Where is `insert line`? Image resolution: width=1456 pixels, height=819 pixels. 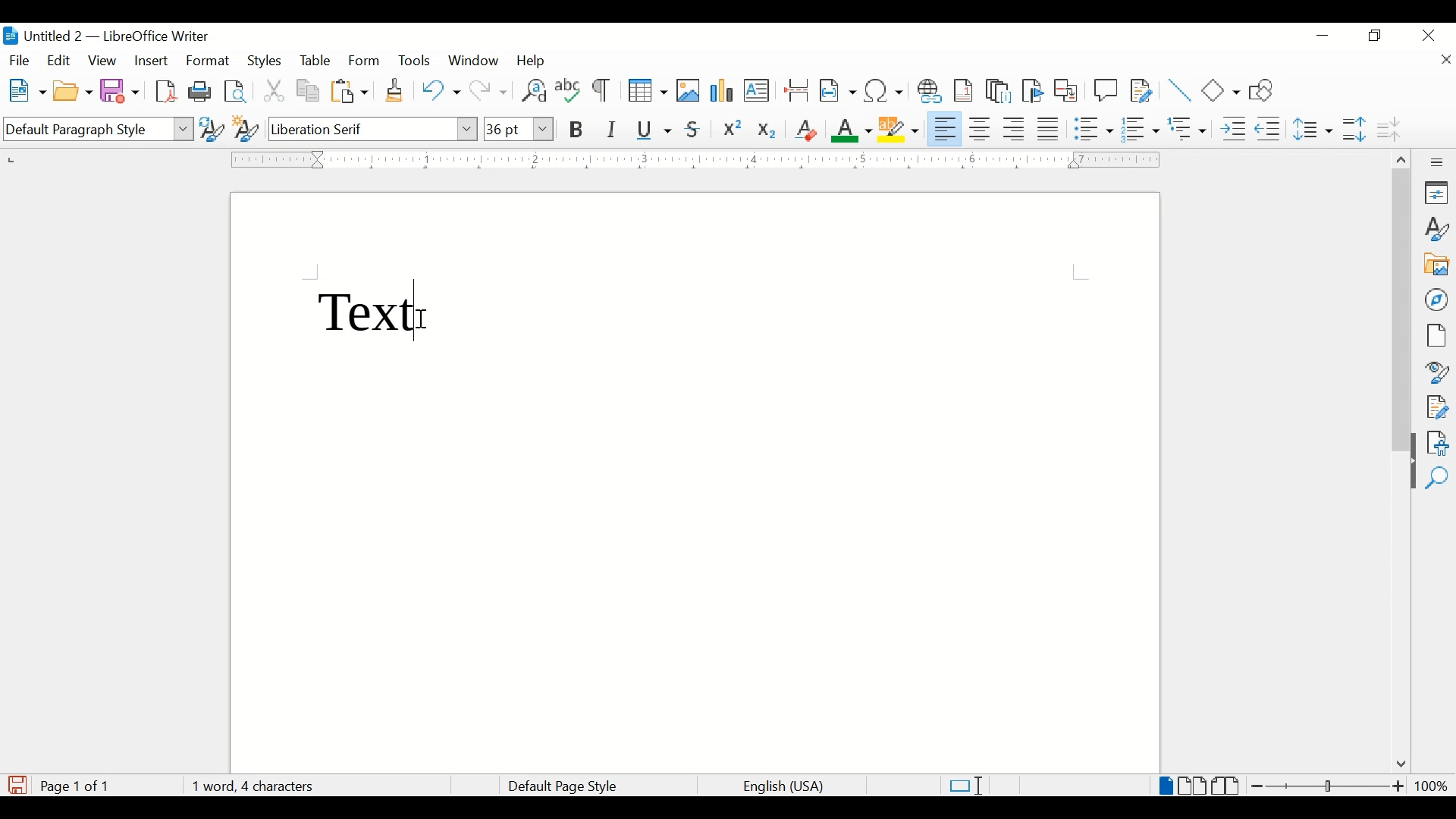 insert line is located at coordinates (1180, 90).